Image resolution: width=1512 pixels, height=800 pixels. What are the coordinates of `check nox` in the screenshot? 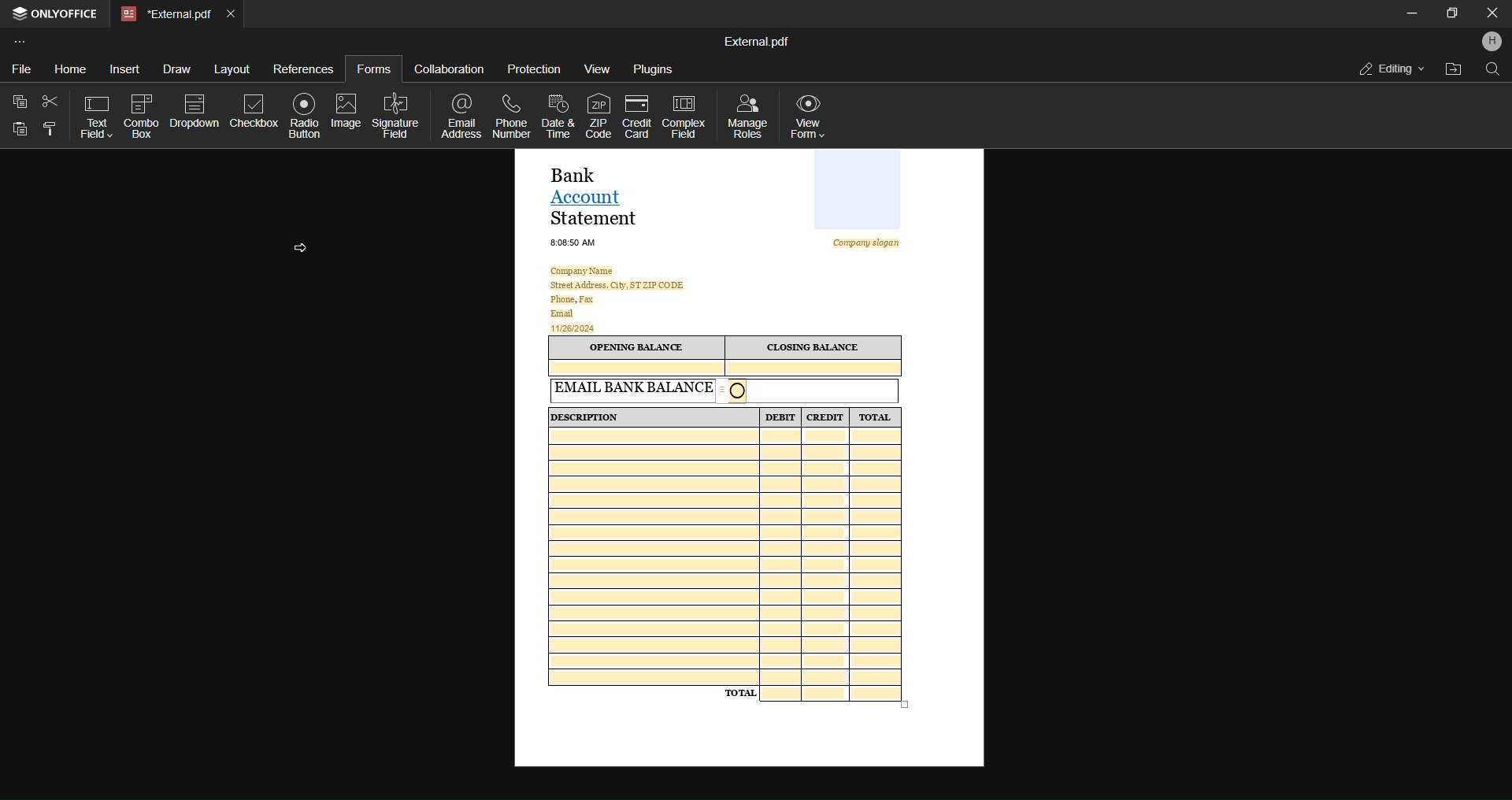 It's located at (252, 109).